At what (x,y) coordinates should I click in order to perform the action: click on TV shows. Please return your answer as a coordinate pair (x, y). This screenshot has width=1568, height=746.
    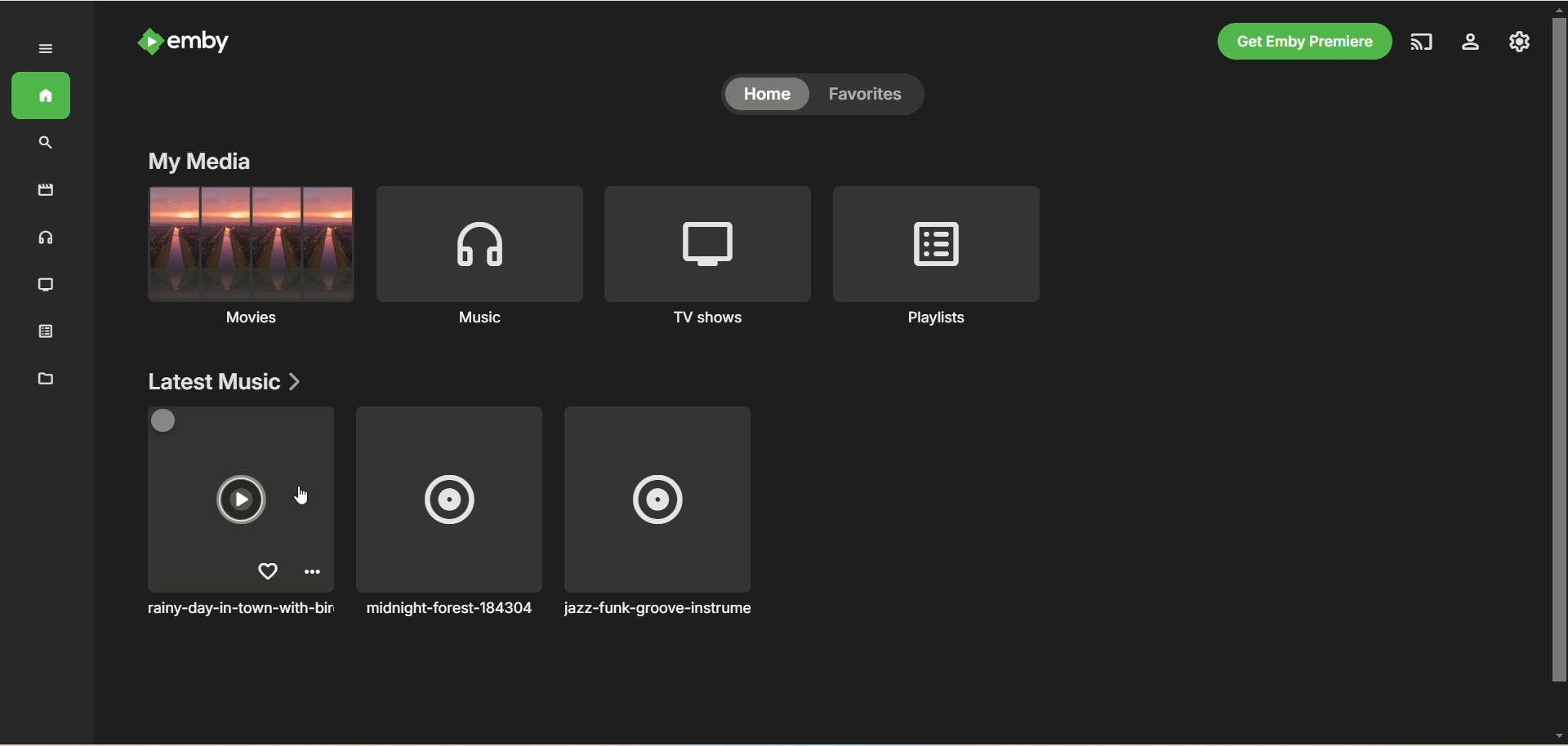
    Looking at the image, I should click on (43, 283).